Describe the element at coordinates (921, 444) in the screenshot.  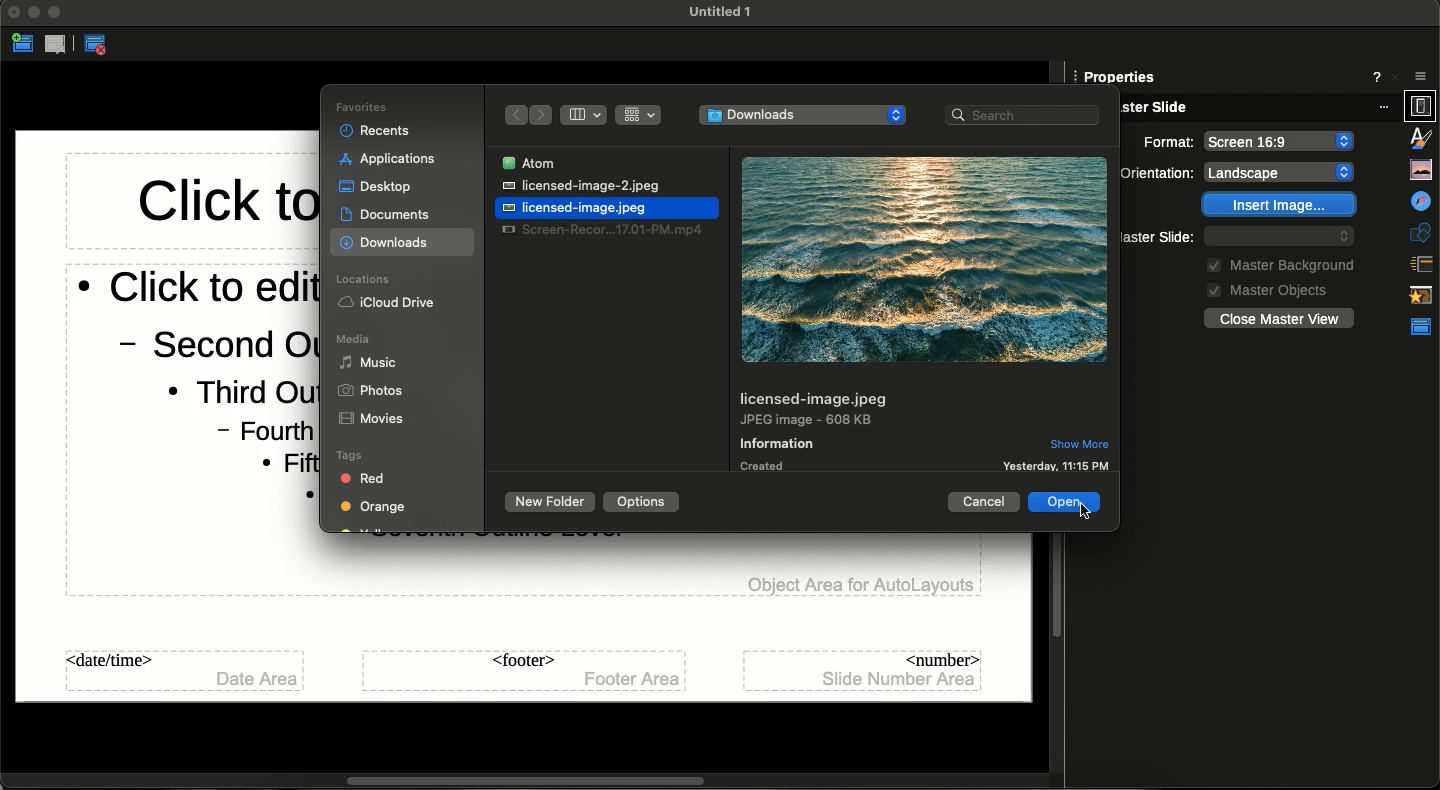
I see `Information` at that location.